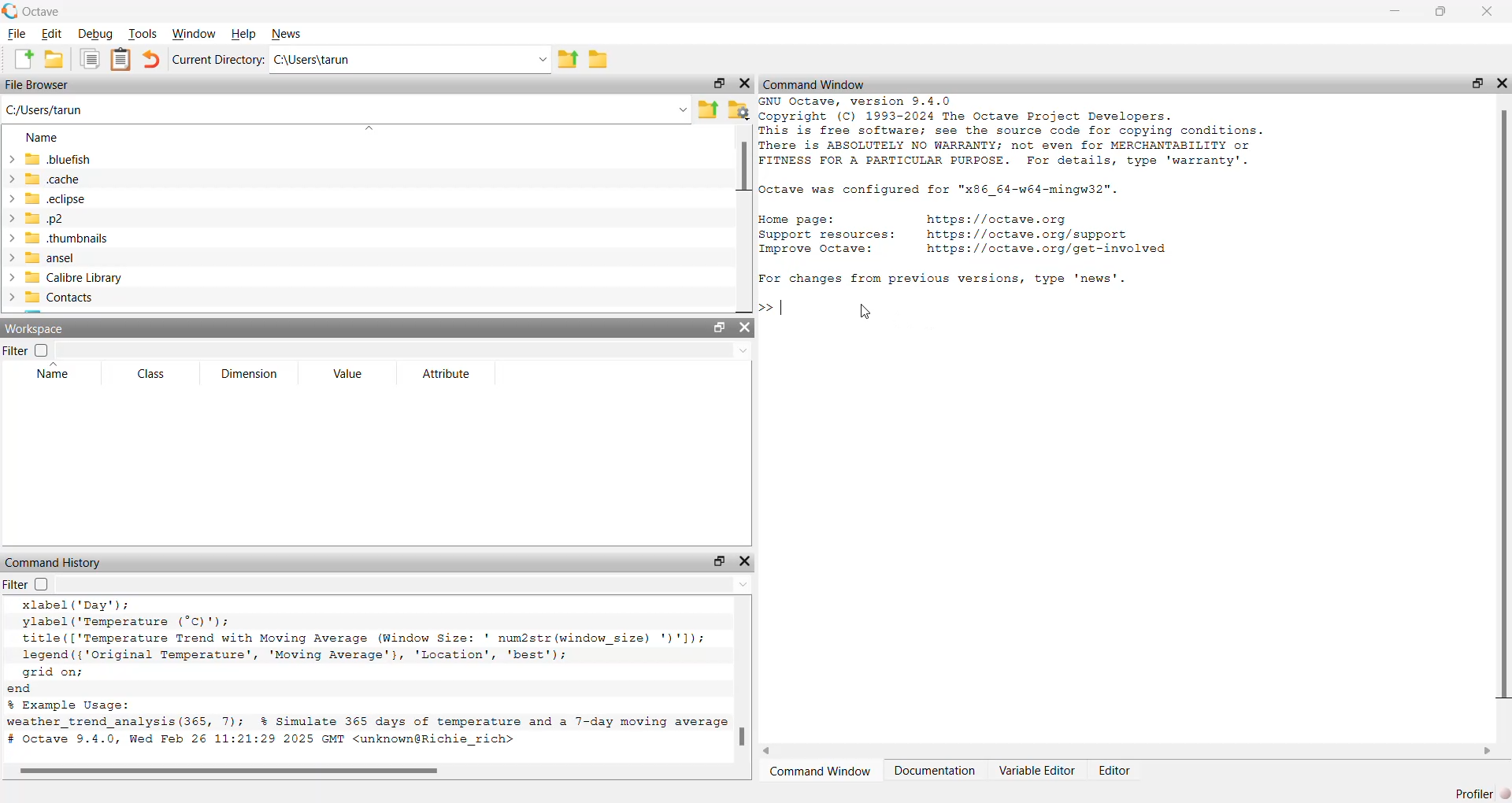 The width and height of the screenshot is (1512, 803). What do you see at coordinates (1019, 188) in the screenshot?
I see `GNU Octave, version 9.4.0

Copyright (C) 1993-2024 The Octave Project Developers.

This is free software; see the source code for copying conditions.
There is ABSOLUTELY NO WARRANTY; not even for MERCHANTABILITY or
FITNESS FOR A PARTICULAR PURPOSE. For details, type 'warranty'.
octave was configured for "x86_64-w64-mingw32".

Home page: https://octave.org

Support resources:  https://octave.org/support

Improve Octave: https://octave.org/get-involved

Bi elisa Sali cooled tin cop doin. Some MEaliy’` at bounding box center [1019, 188].